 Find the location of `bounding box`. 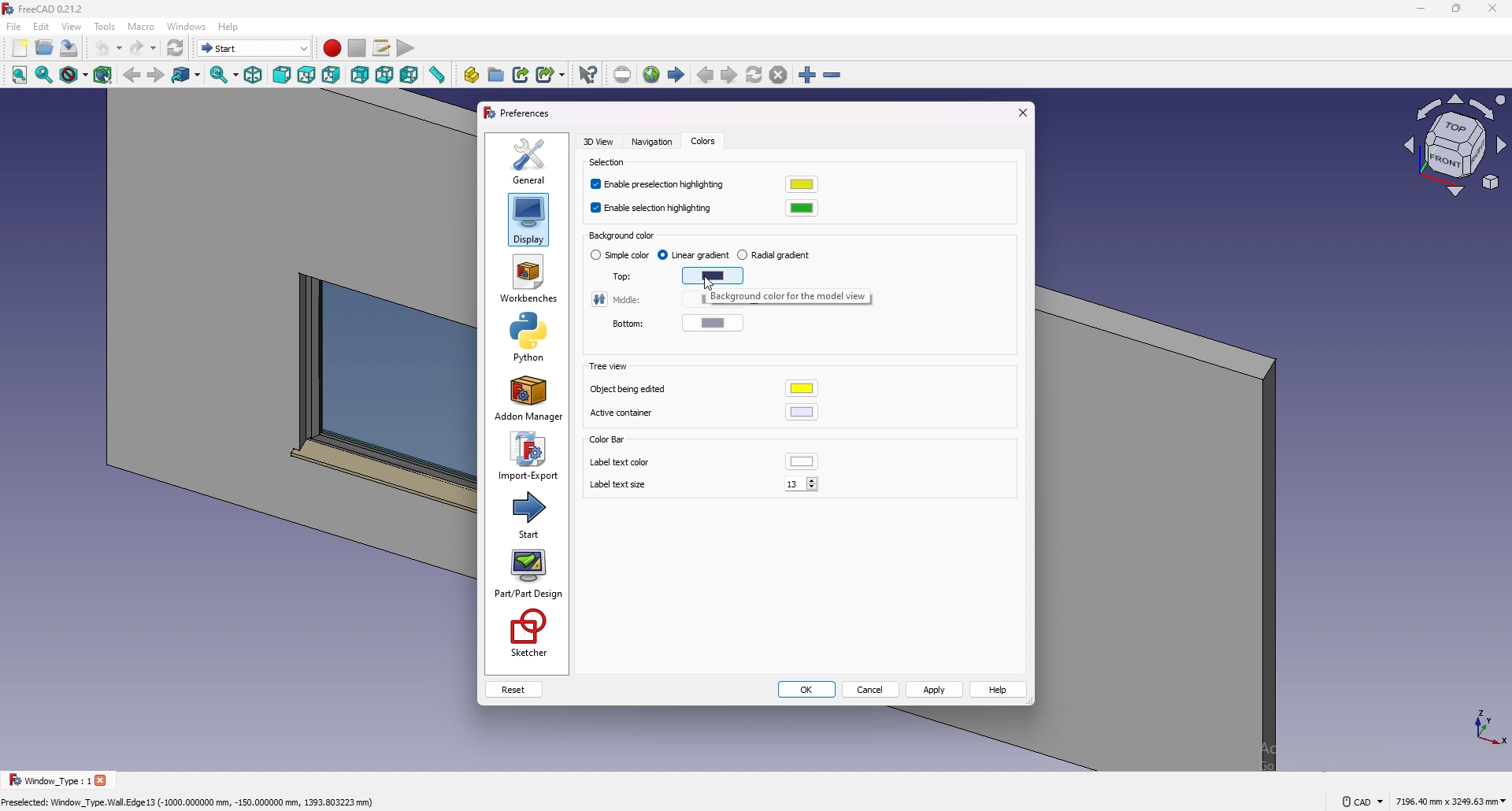

bounding box is located at coordinates (104, 75).